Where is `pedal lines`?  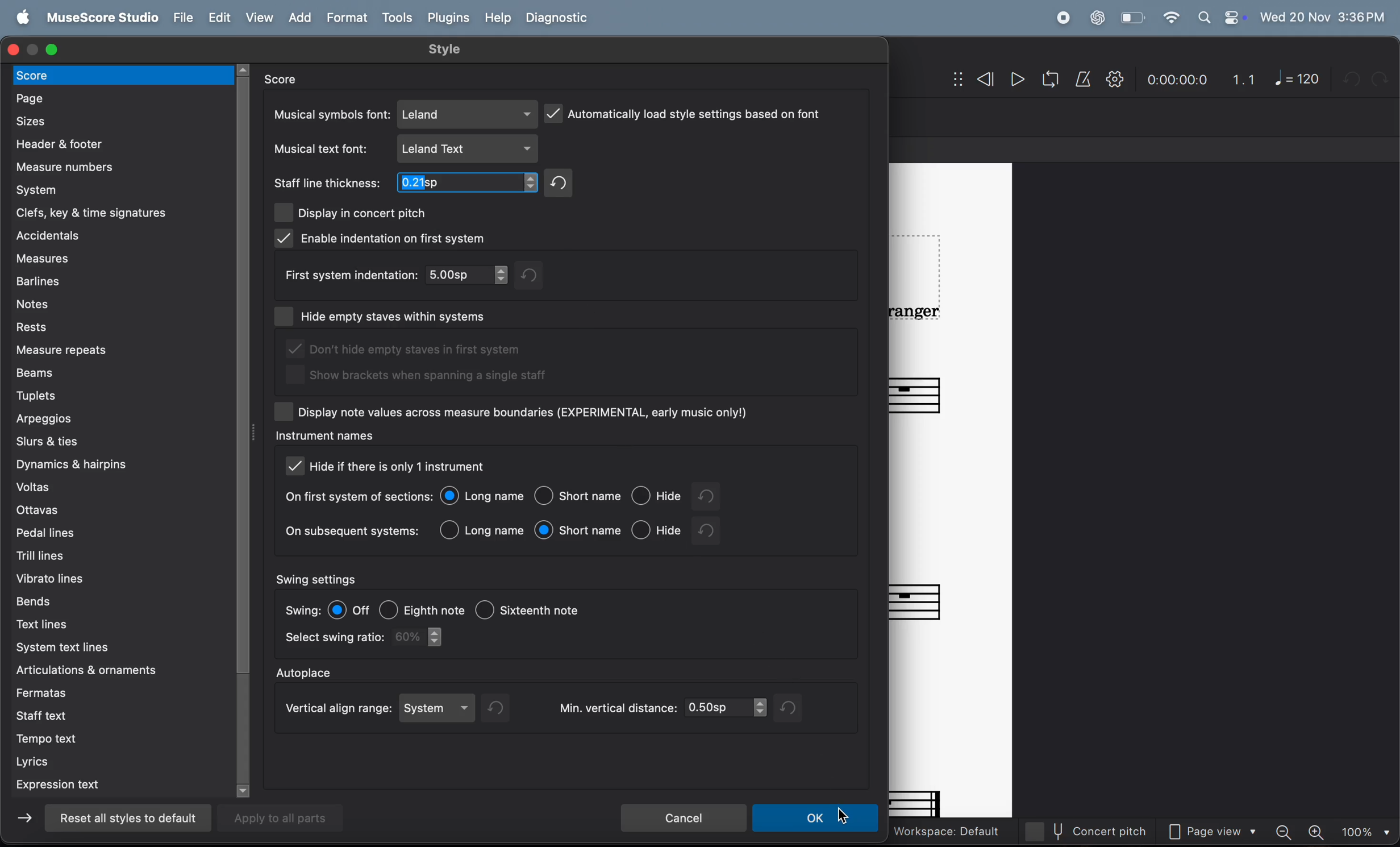
pedal lines is located at coordinates (108, 532).